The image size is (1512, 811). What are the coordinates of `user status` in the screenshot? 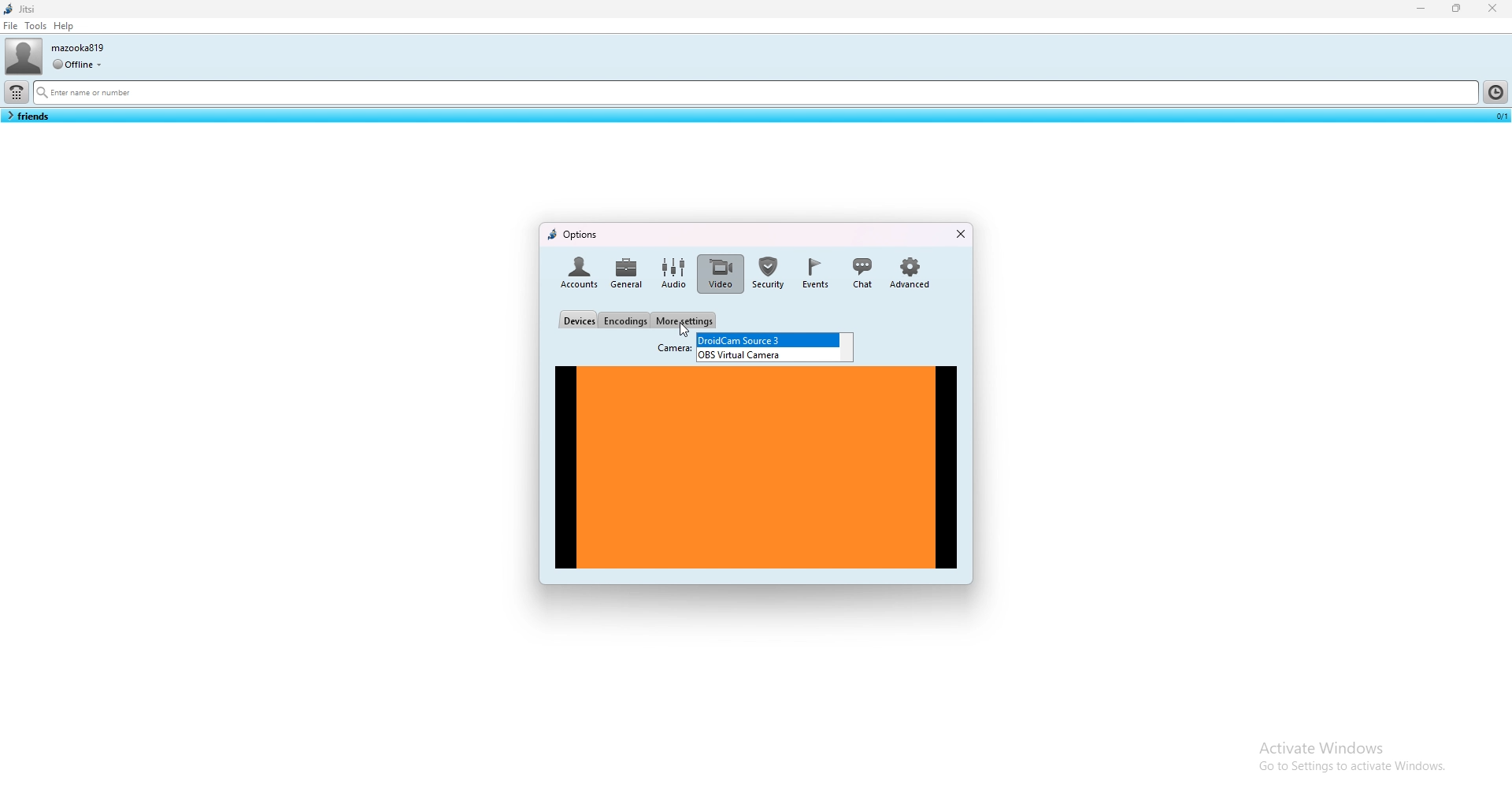 It's located at (77, 64).